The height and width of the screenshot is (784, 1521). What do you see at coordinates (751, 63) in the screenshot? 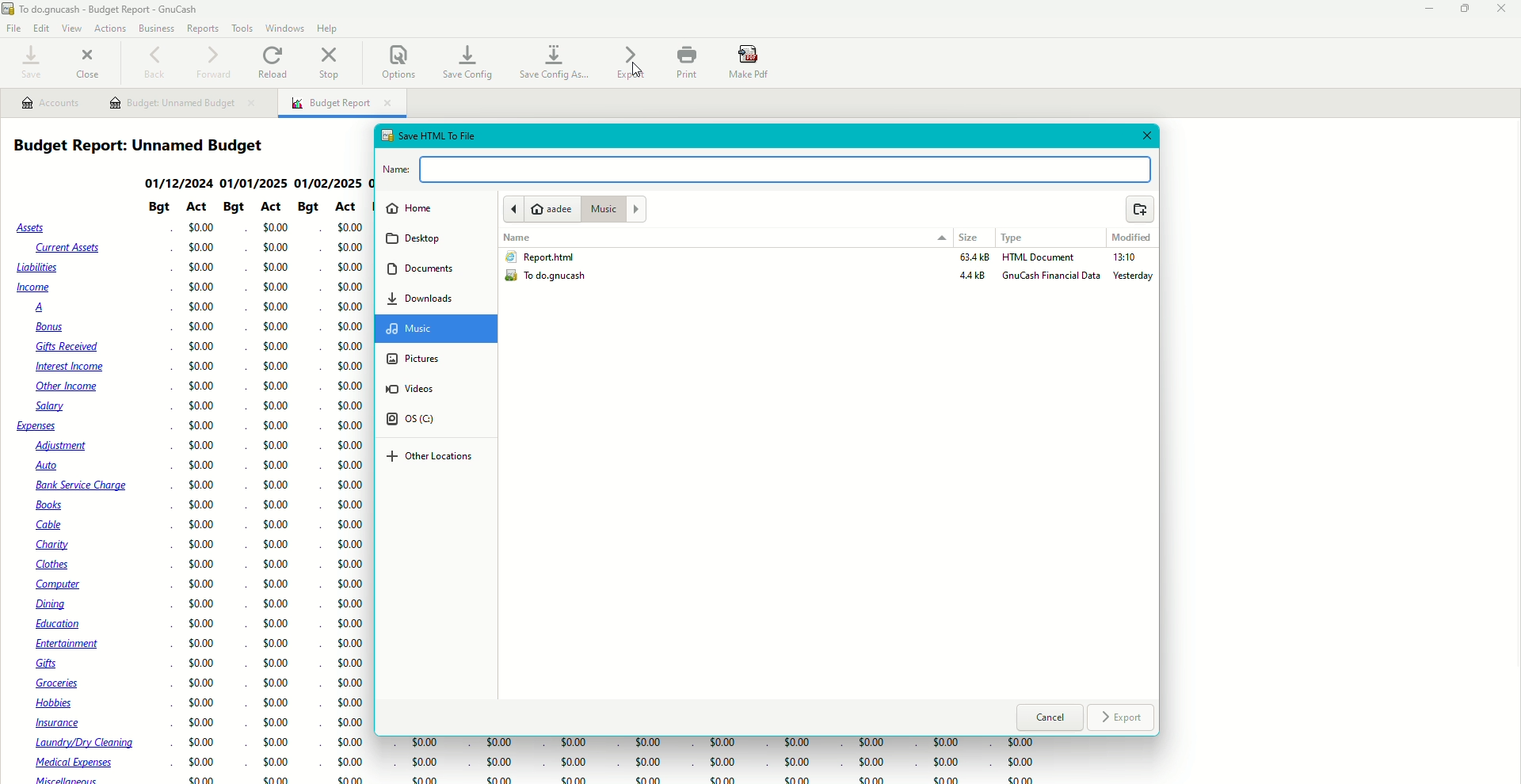
I see `Make PDF` at bounding box center [751, 63].